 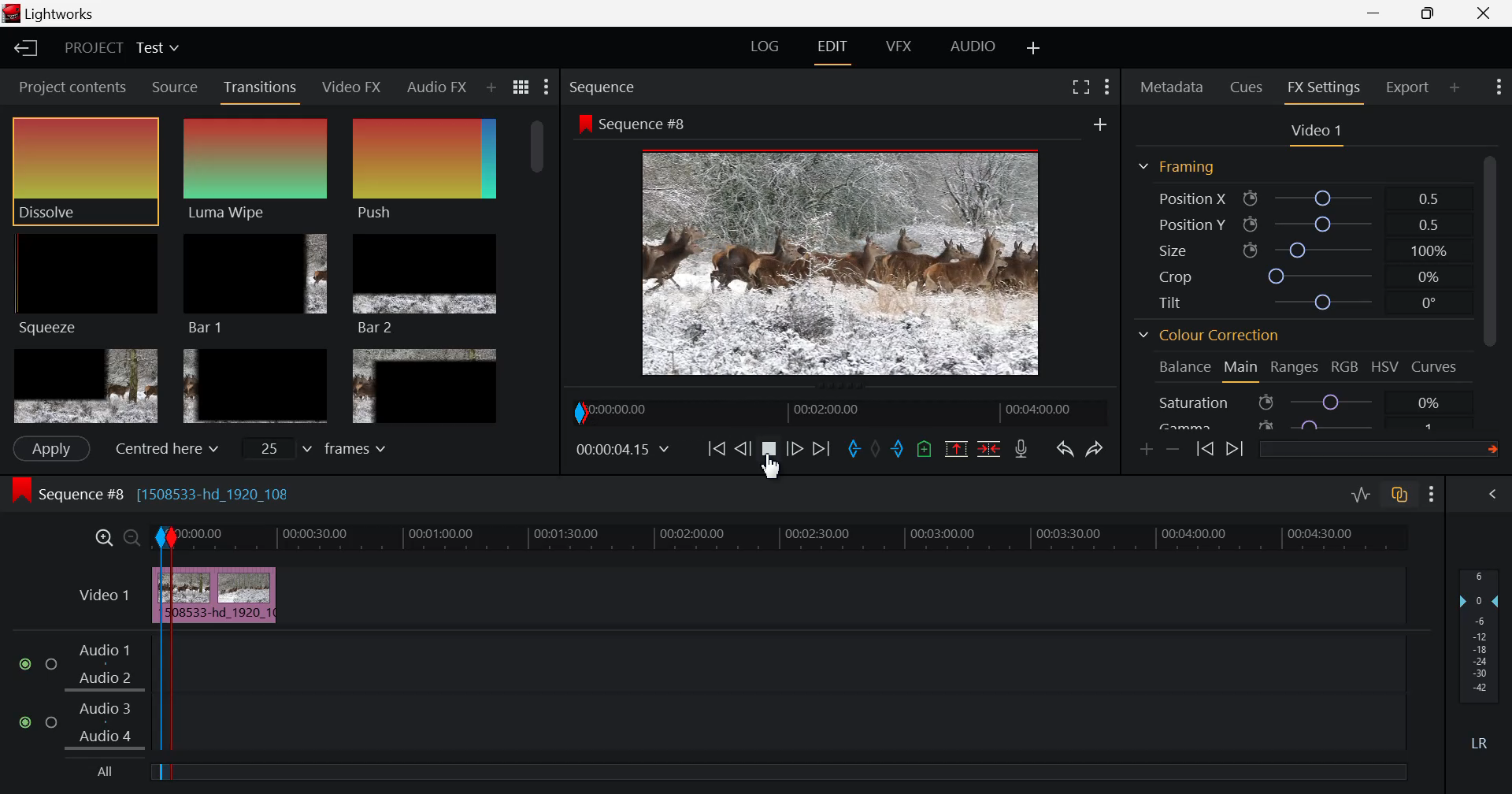 I want to click on Box 5, so click(x=256, y=388).